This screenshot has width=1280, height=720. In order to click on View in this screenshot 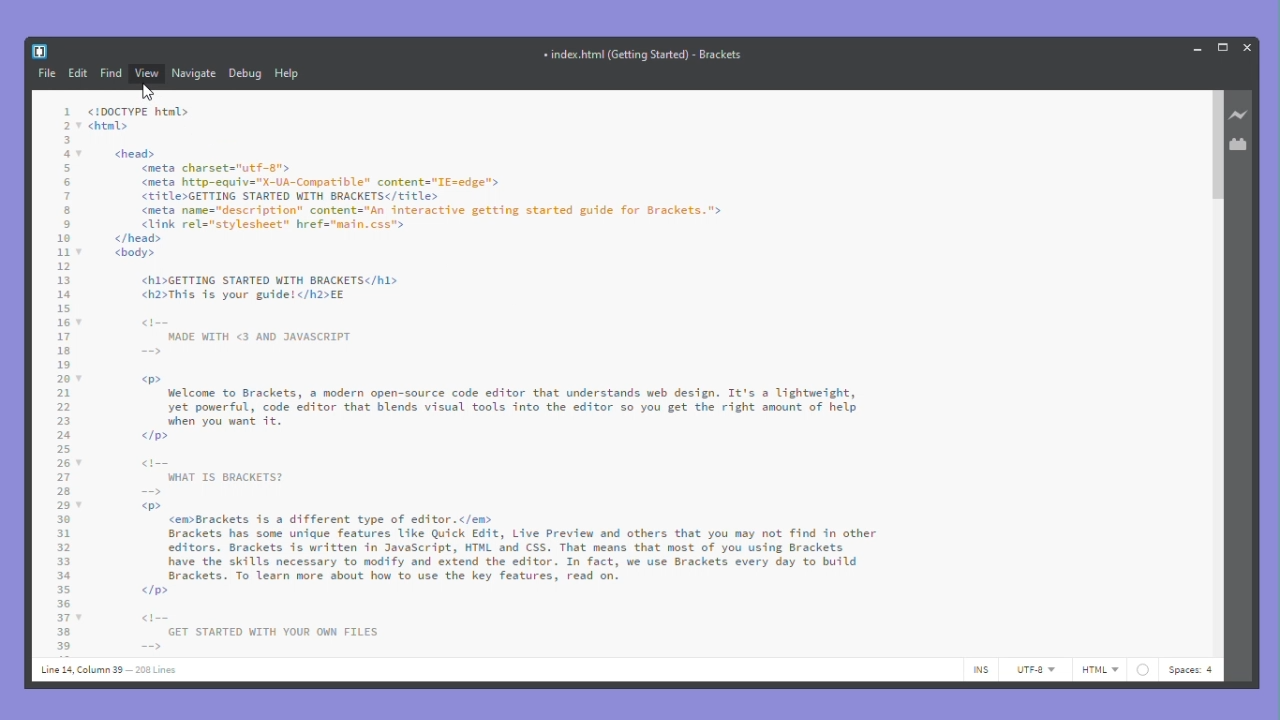, I will do `click(148, 74)`.